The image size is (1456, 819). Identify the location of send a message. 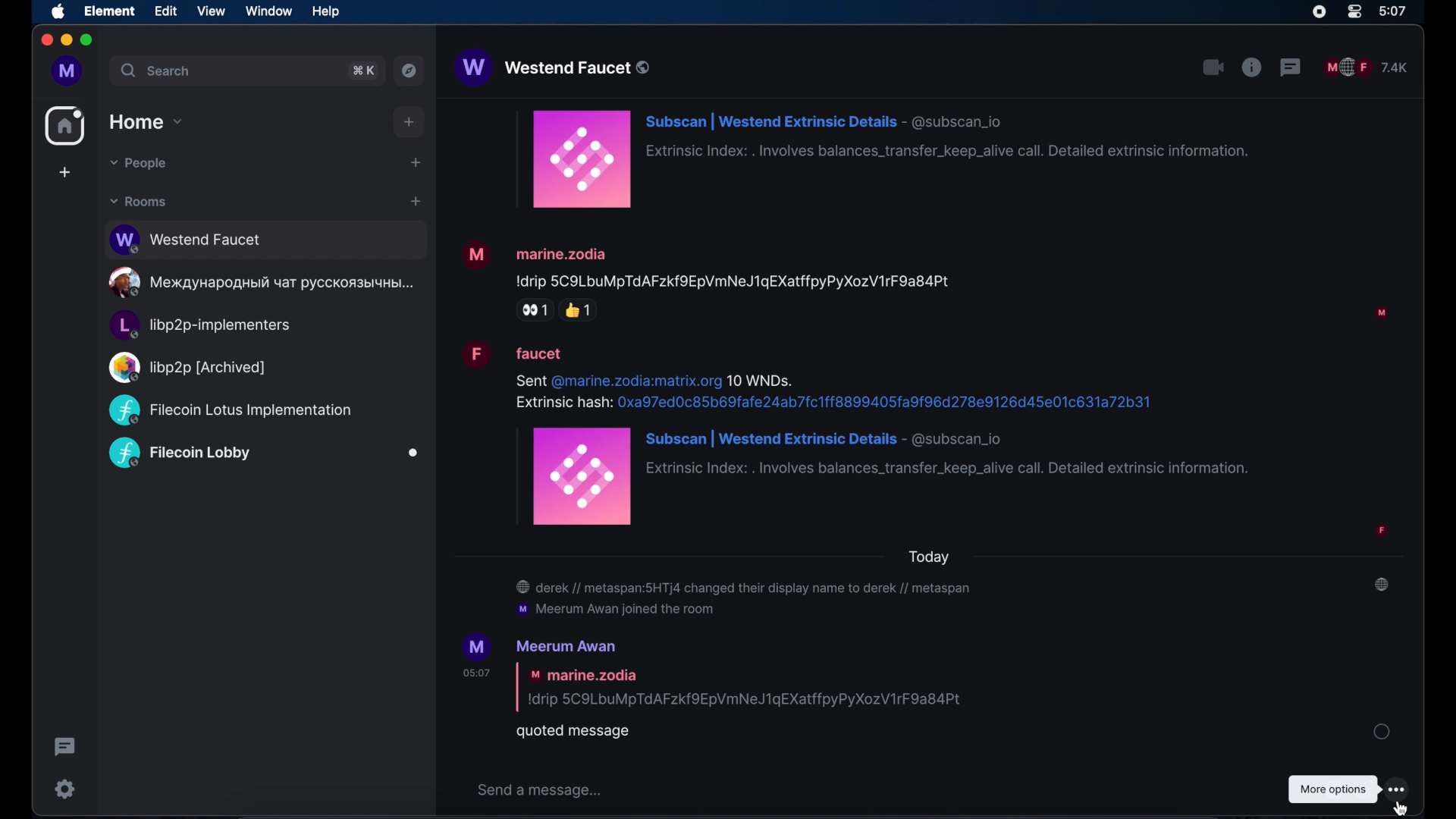
(541, 790).